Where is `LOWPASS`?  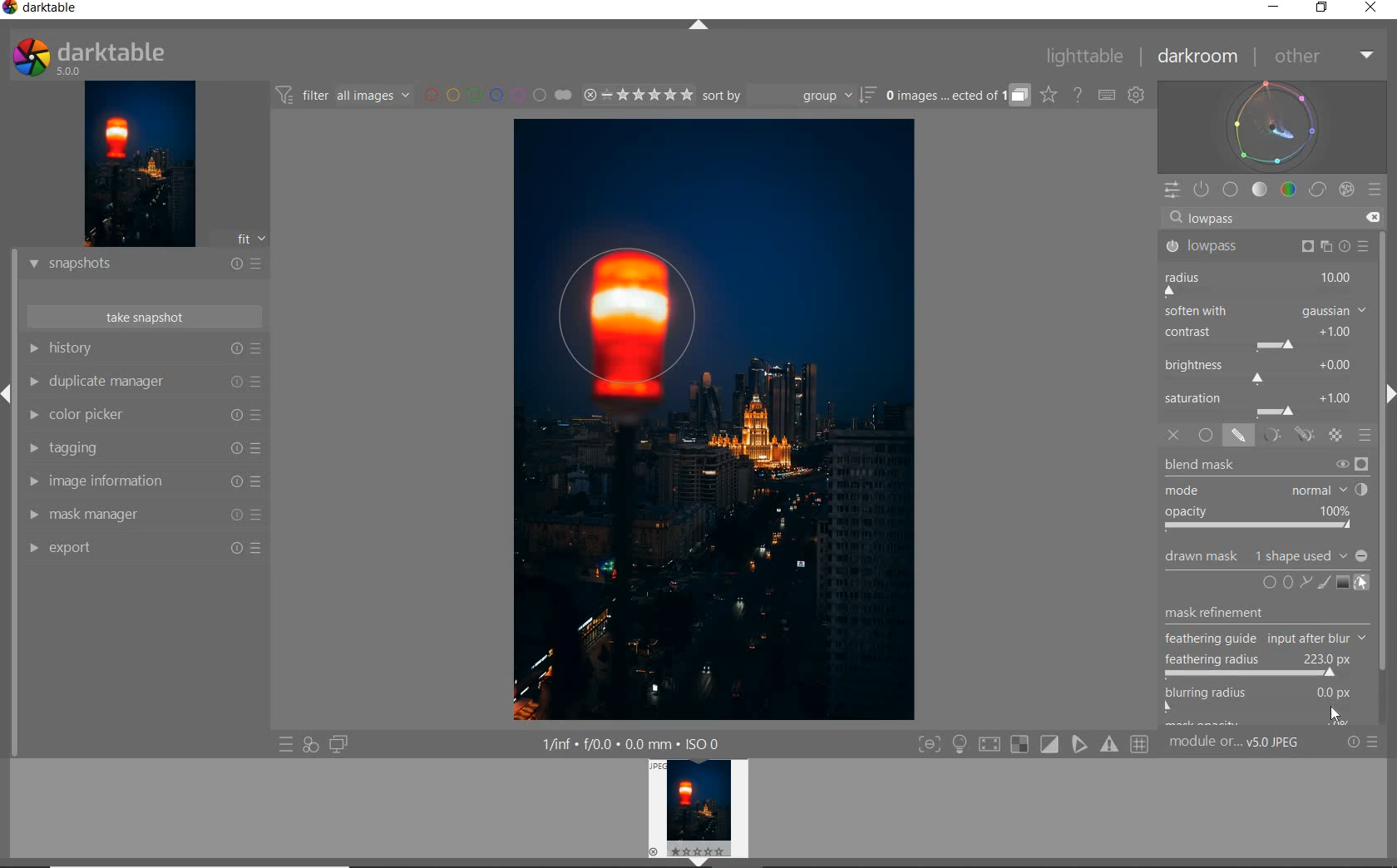 LOWPASS is located at coordinates (1267, 247).